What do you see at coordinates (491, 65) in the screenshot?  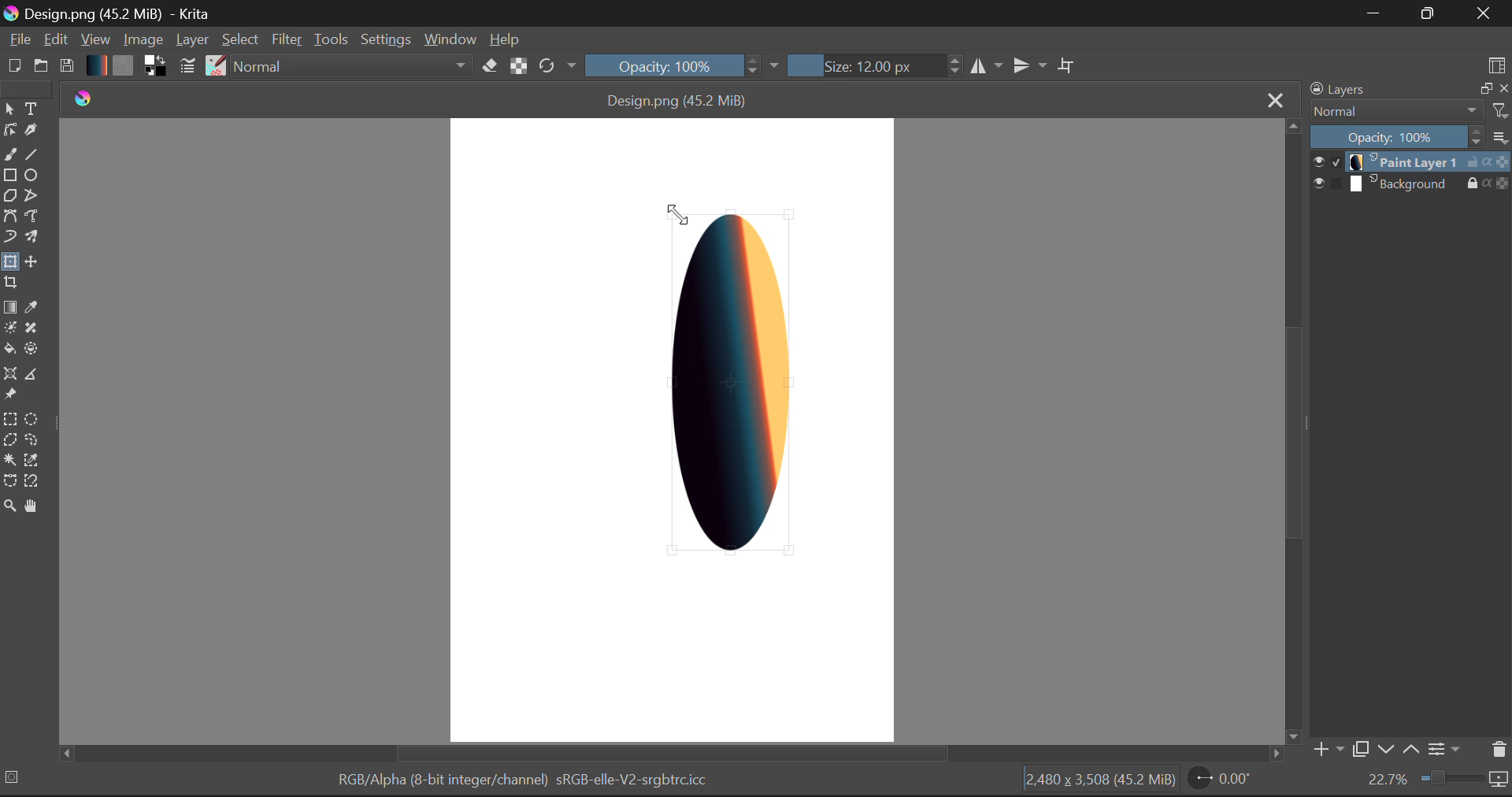 I see `Eraser` at bounding box center [491, 65].